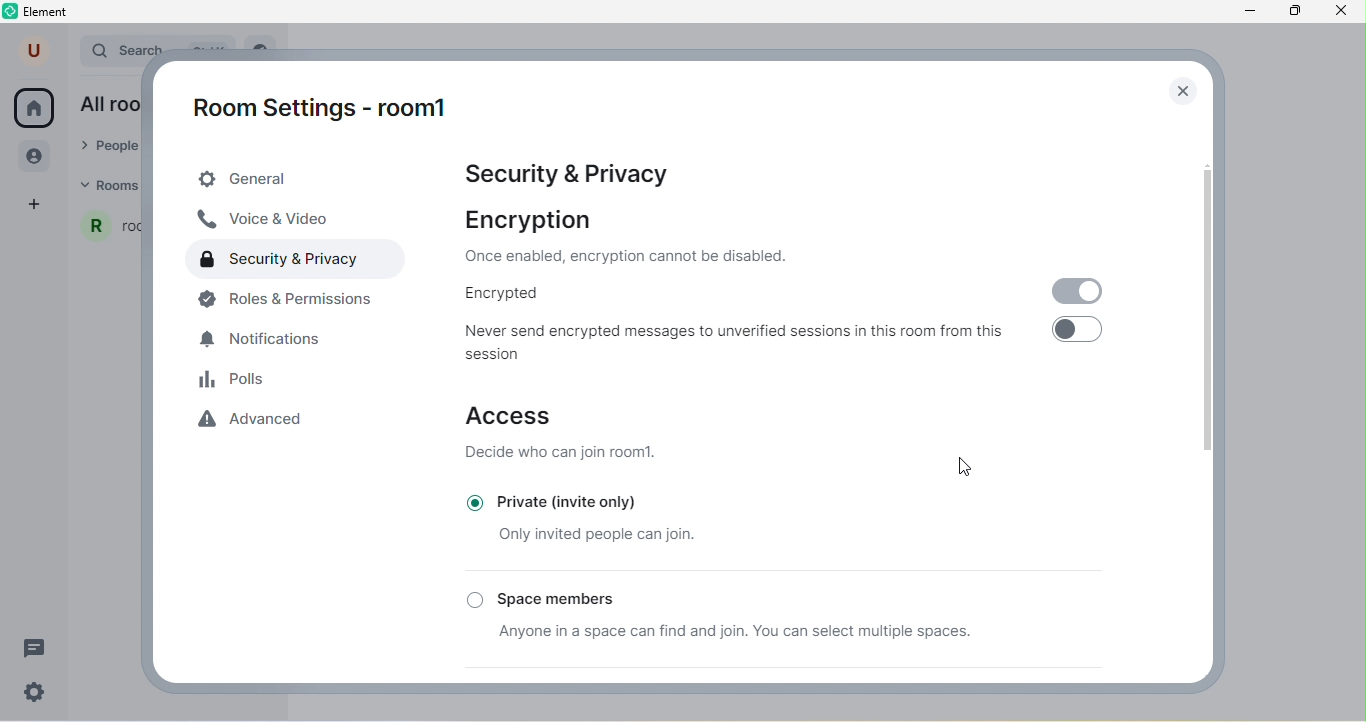 The image size is (1366, 722). Describe the element at coordinates (759, 636) in the screenshot. I see `anyone in a space can join` at that location.